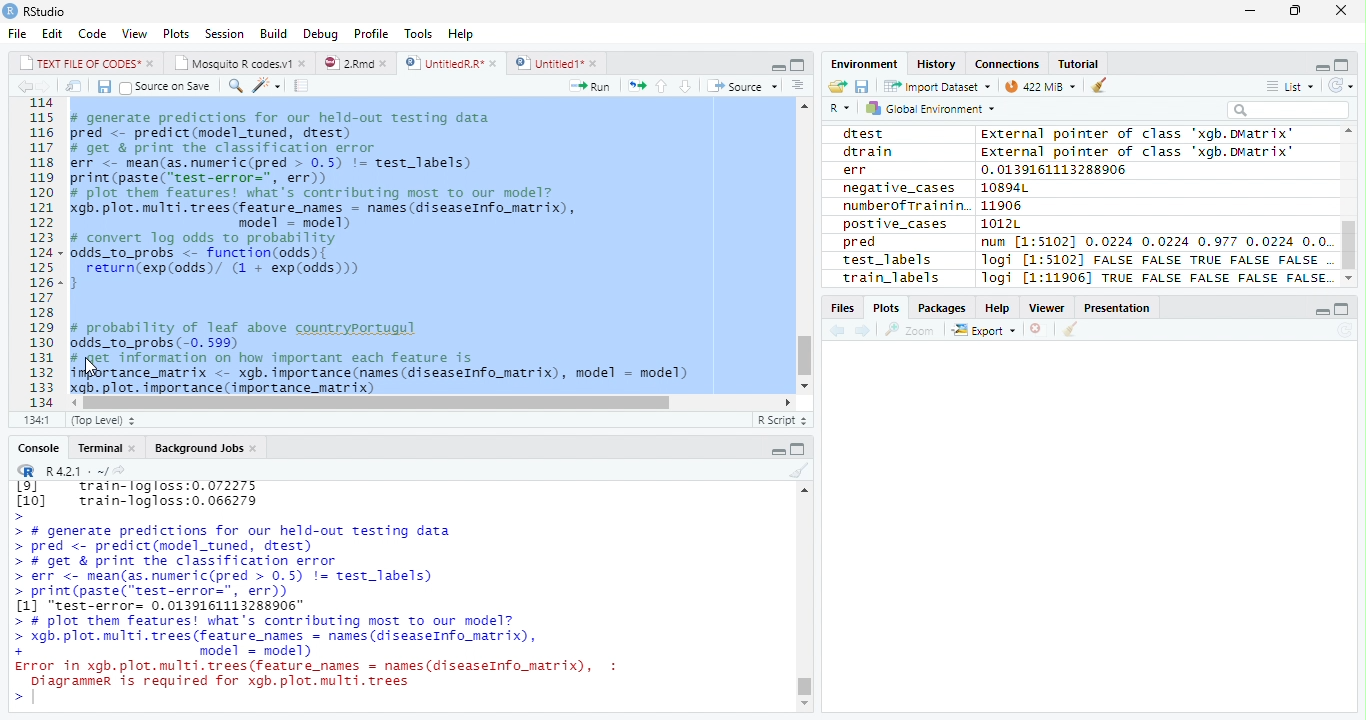 The image size is (1366, 720). I want to click on Profile, so click(372, 33).